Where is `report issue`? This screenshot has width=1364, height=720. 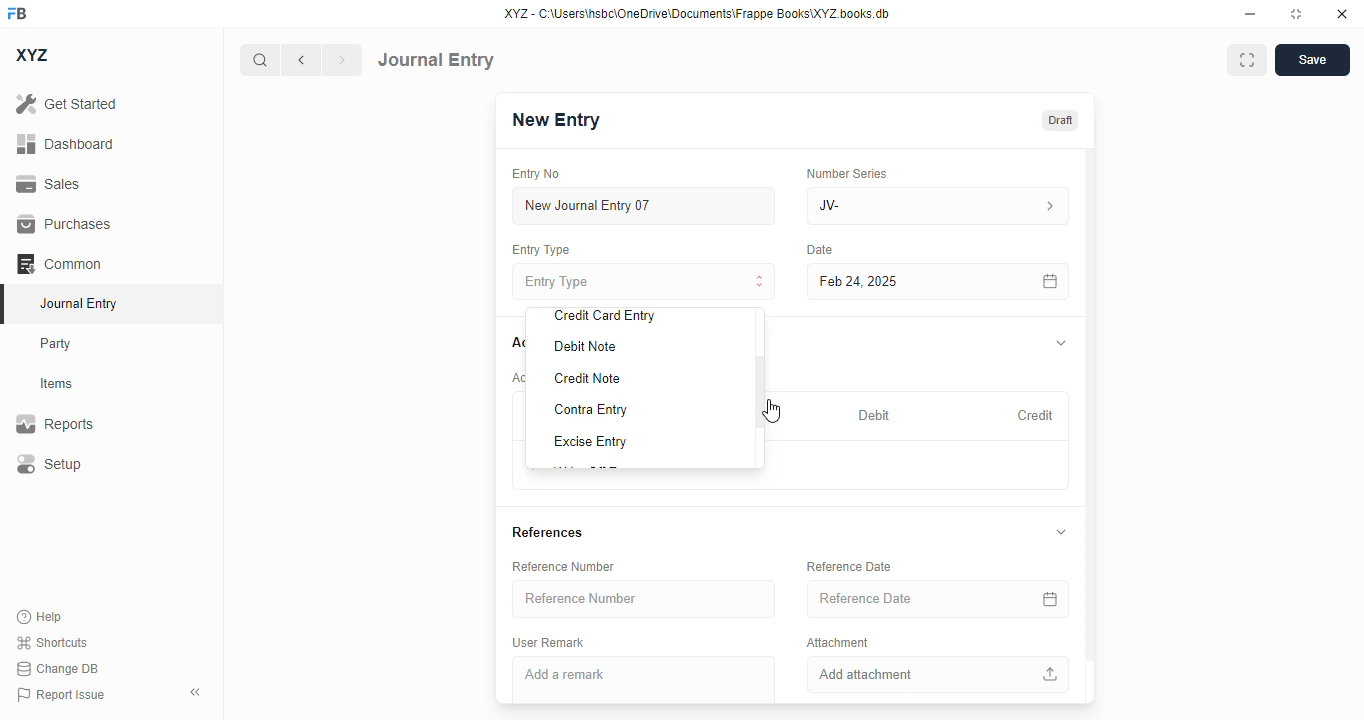 report issue is located at coordinates (61, 694).